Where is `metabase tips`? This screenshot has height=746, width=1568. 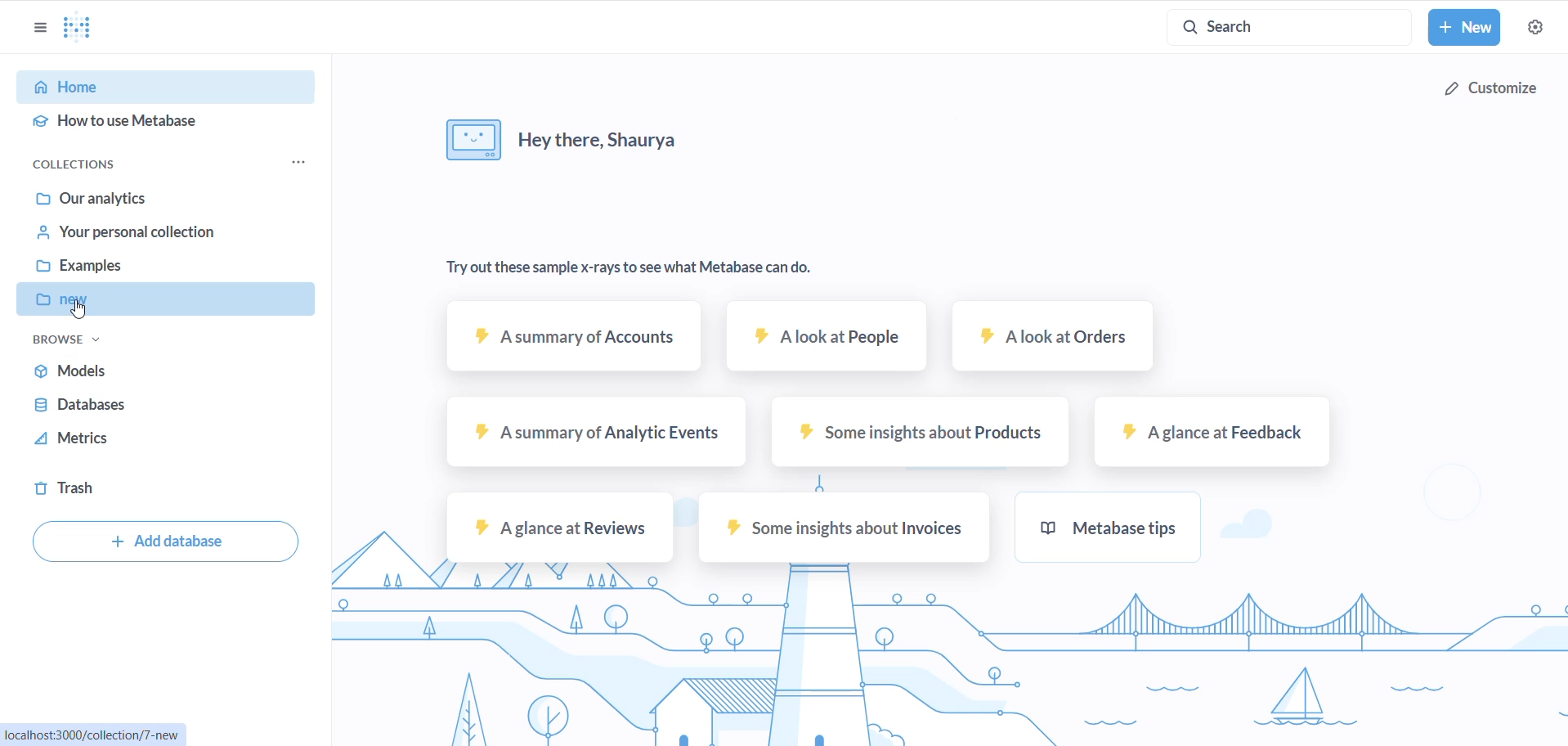 metabase tips is located at coordinates (1135, 533).